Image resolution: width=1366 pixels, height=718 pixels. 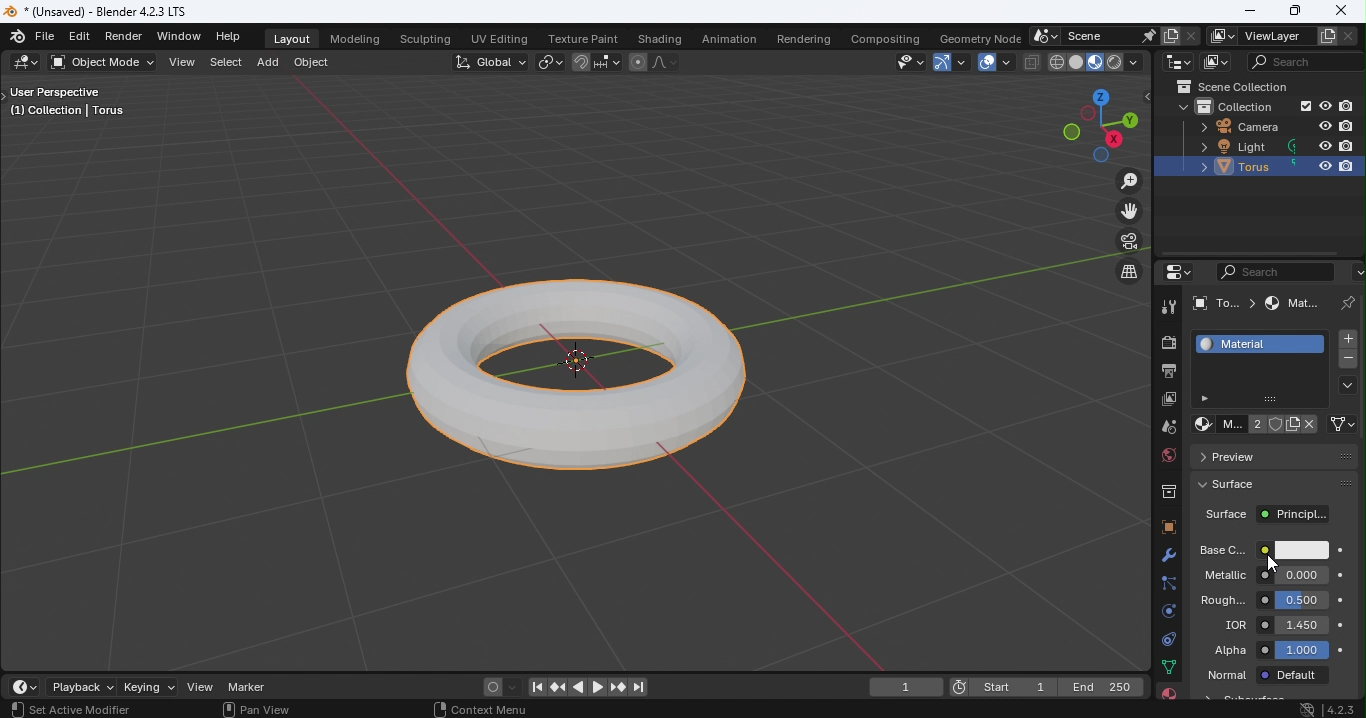 What do you see at coordinates (1165, 429) in the screenshot?
I see `Scene` at bounding box center [1165, 429].